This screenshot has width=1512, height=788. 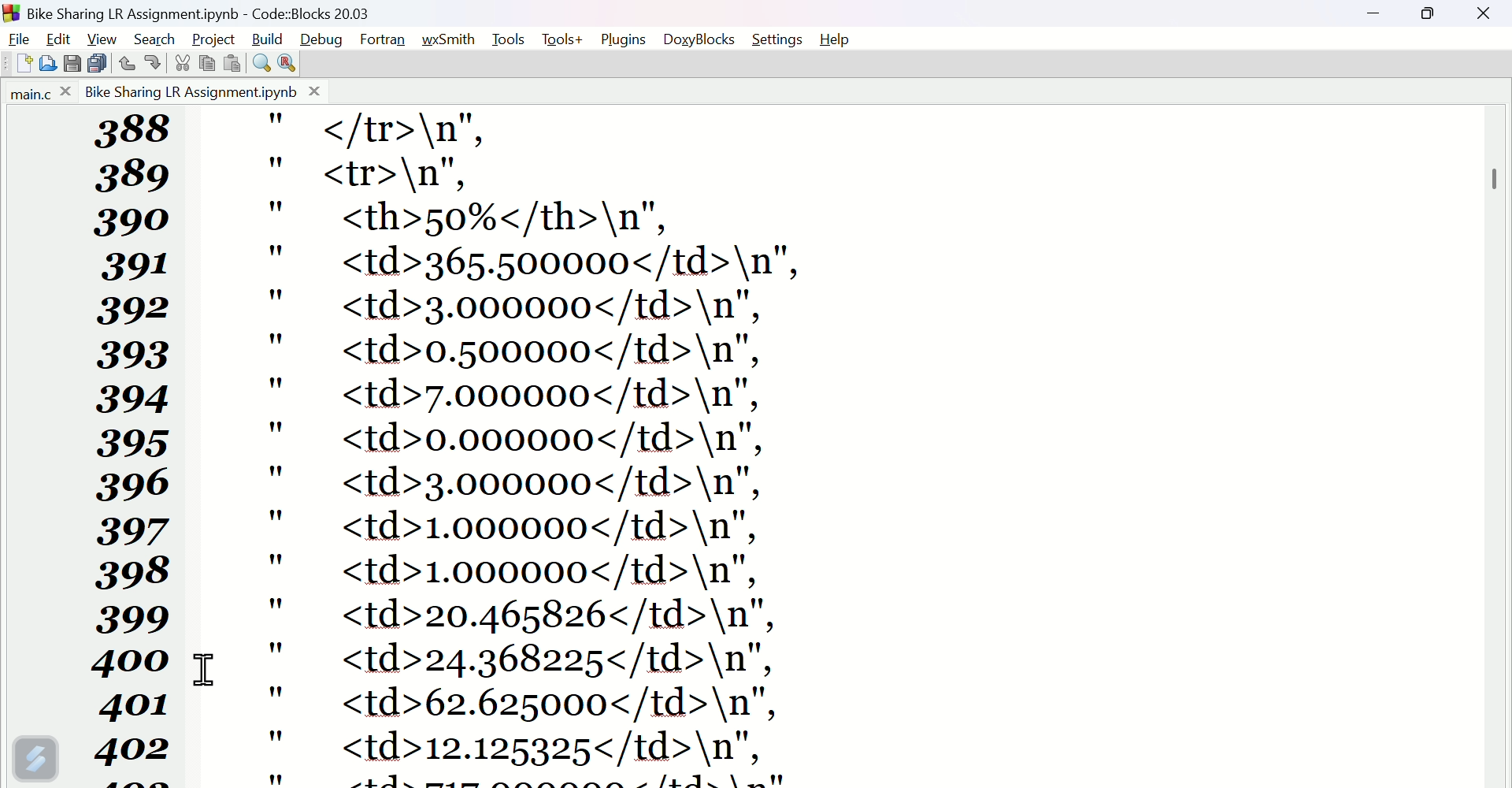 I want to click on Plugins , so click(x=622, y=39).